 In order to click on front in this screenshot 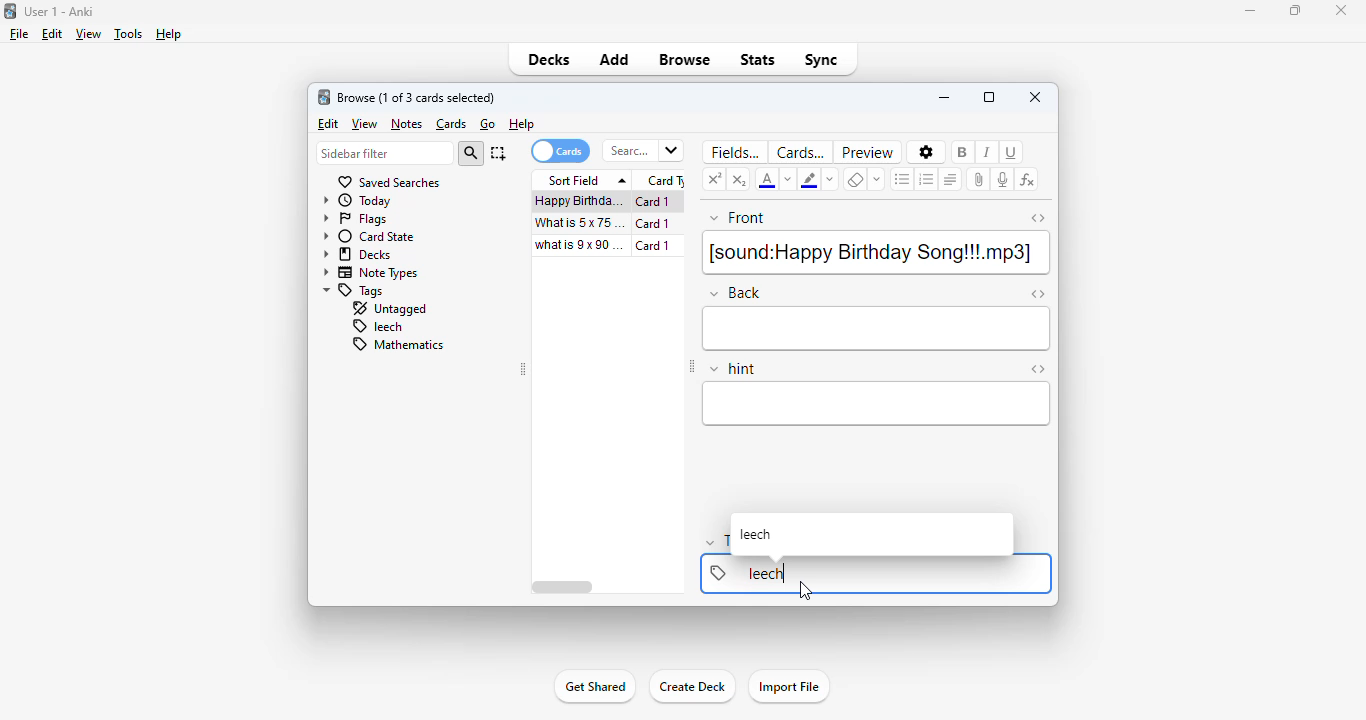, I will do `click(738, 219)`.